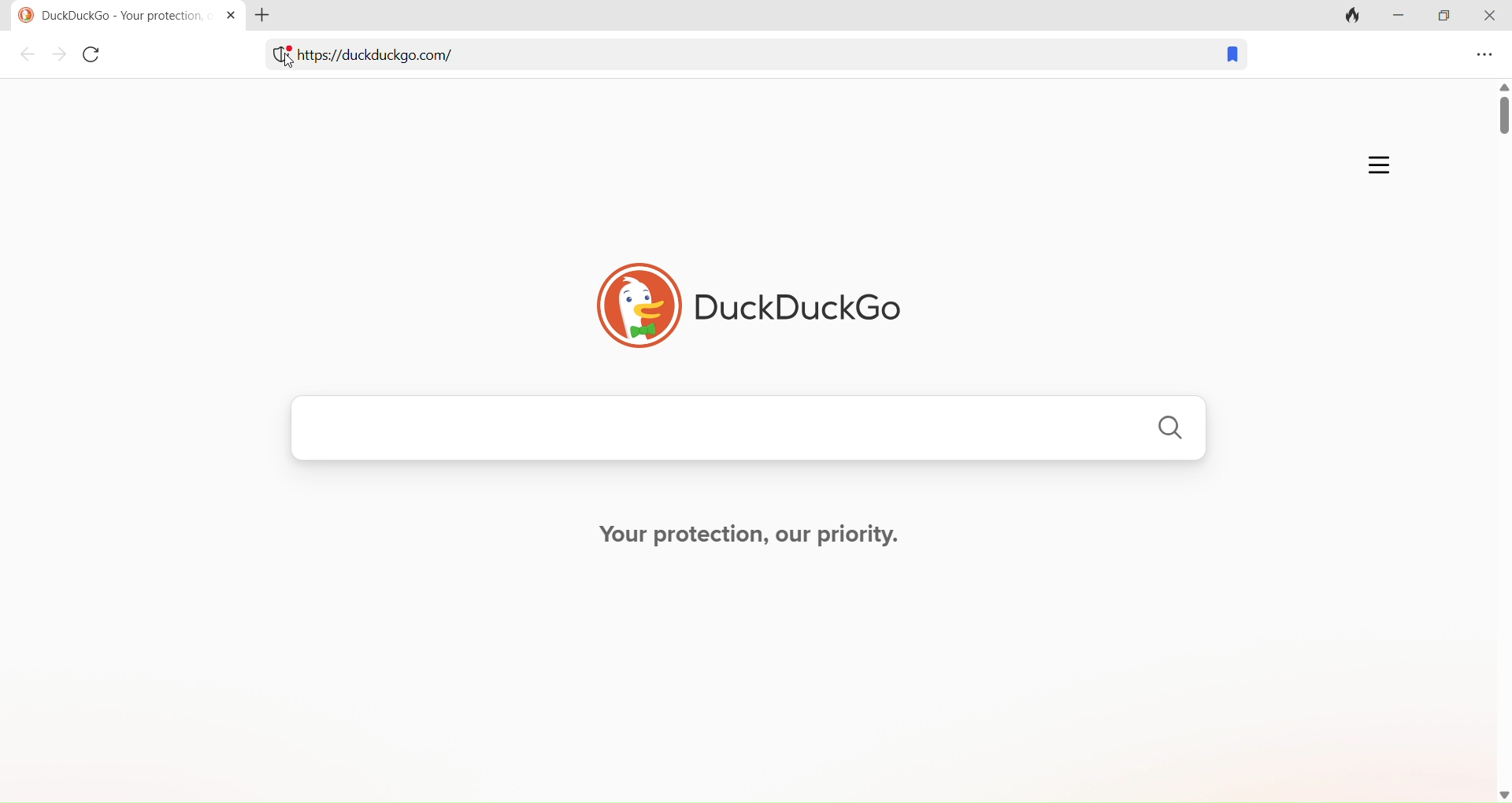 The height and width of the screenshot is (803, 1512). Describe the element at coordinates (95, 58) in the screenshot. I see `reload` at that location.